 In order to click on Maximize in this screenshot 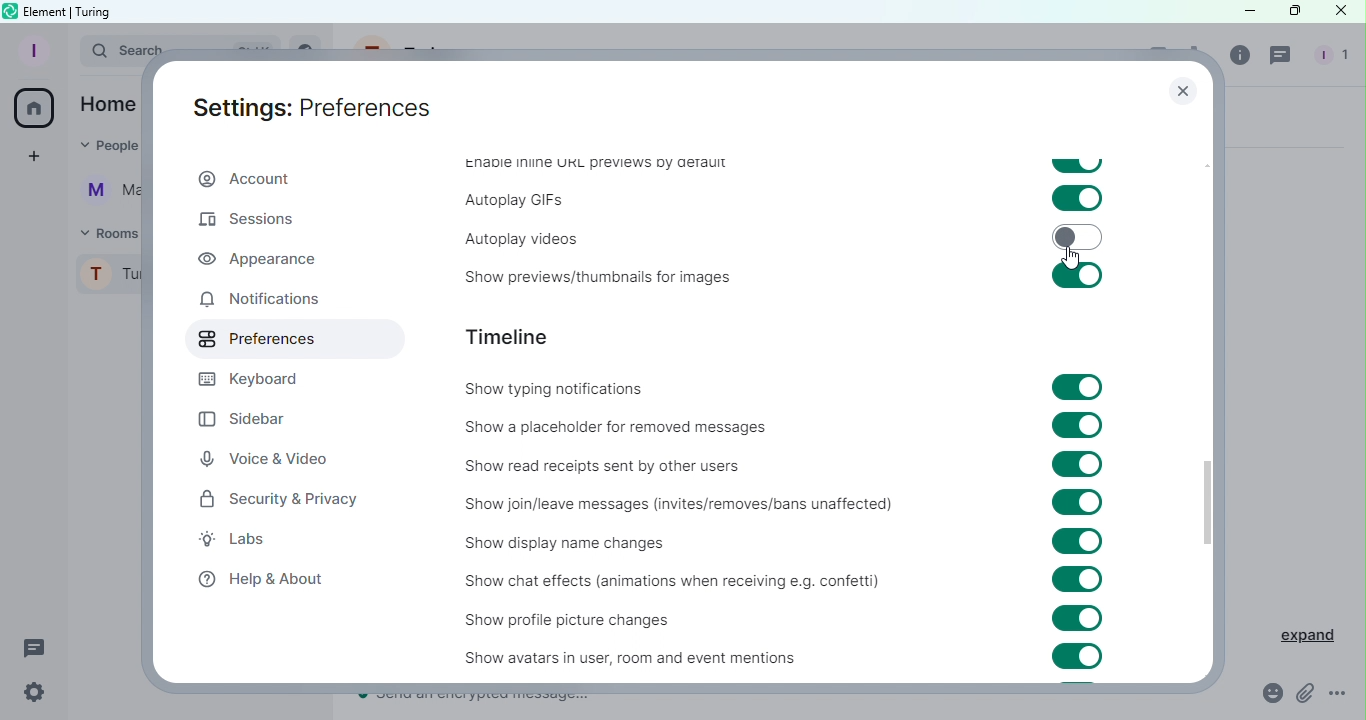, I will do `click(1290, 12)`.